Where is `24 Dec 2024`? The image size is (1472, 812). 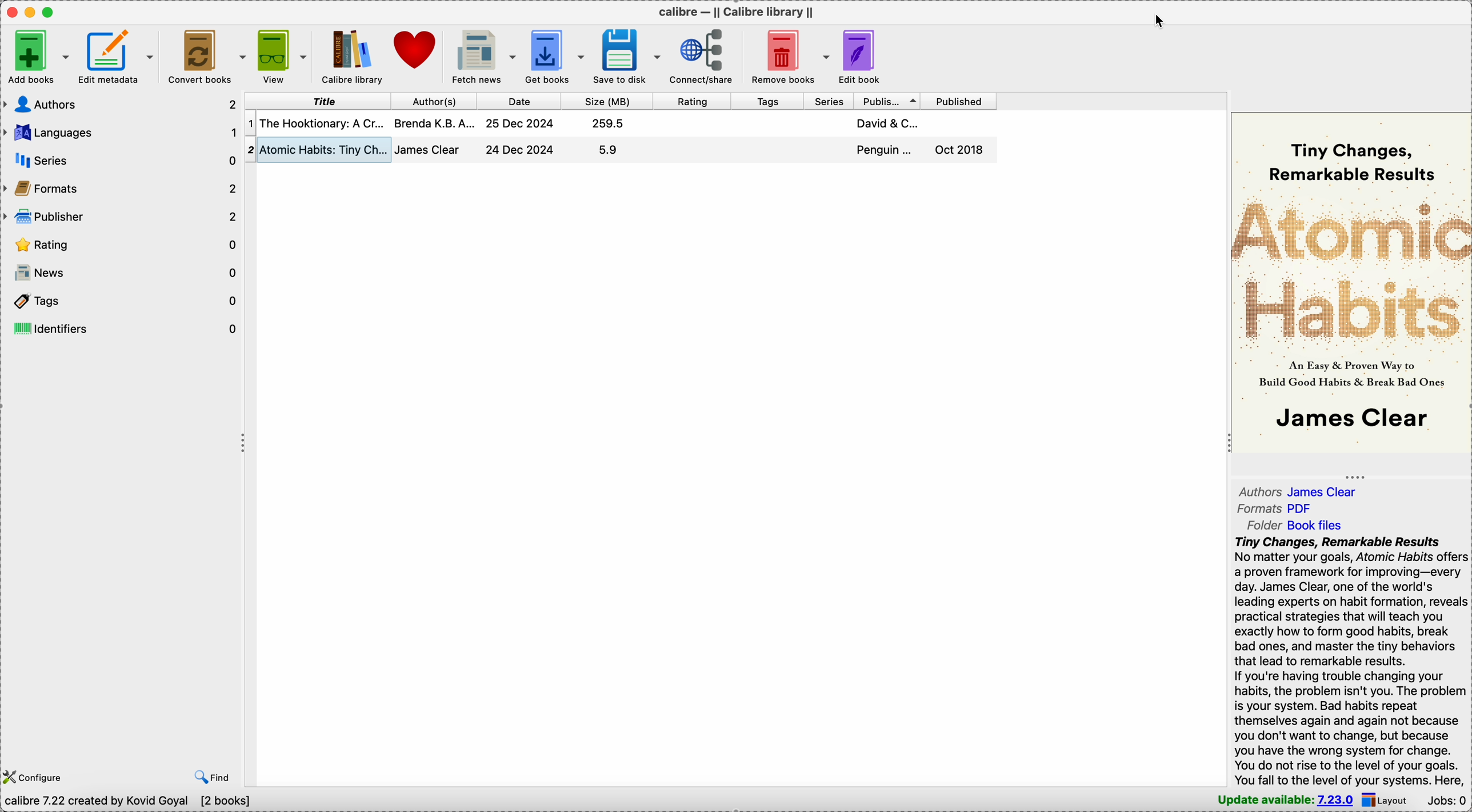 24 Dec 2024 is located at coordinates (521, 123).